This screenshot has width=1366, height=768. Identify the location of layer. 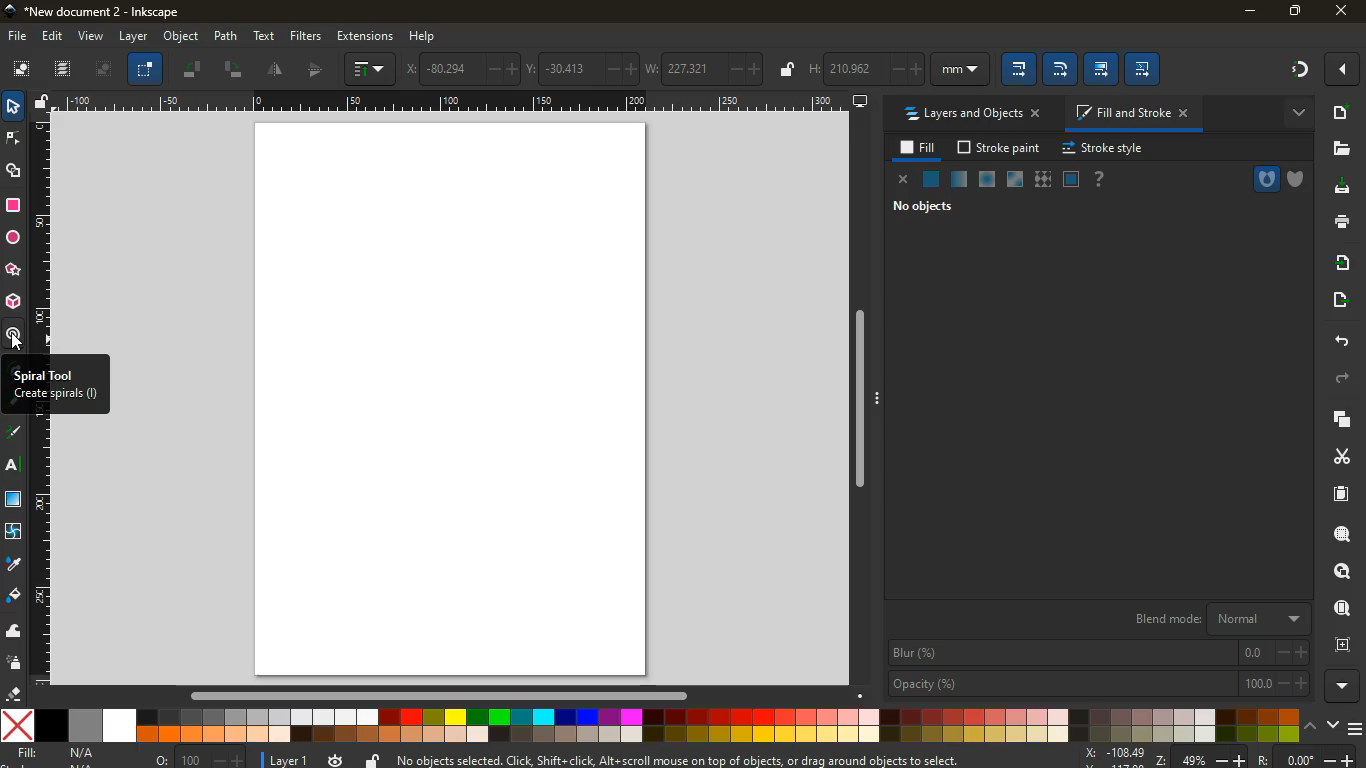
(286, 758).